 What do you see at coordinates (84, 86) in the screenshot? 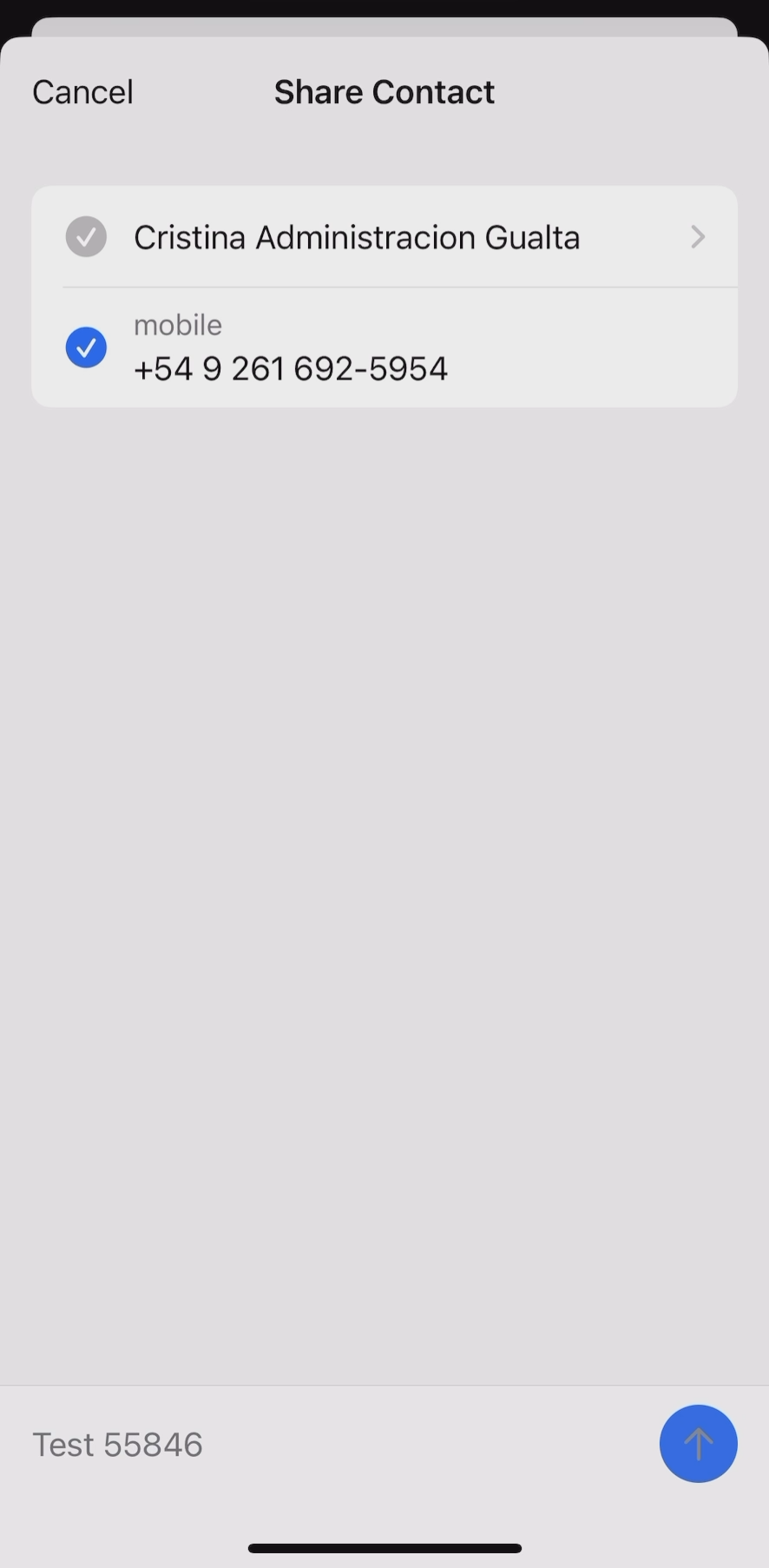
I see `cancel` at bounding box center [84, 86].